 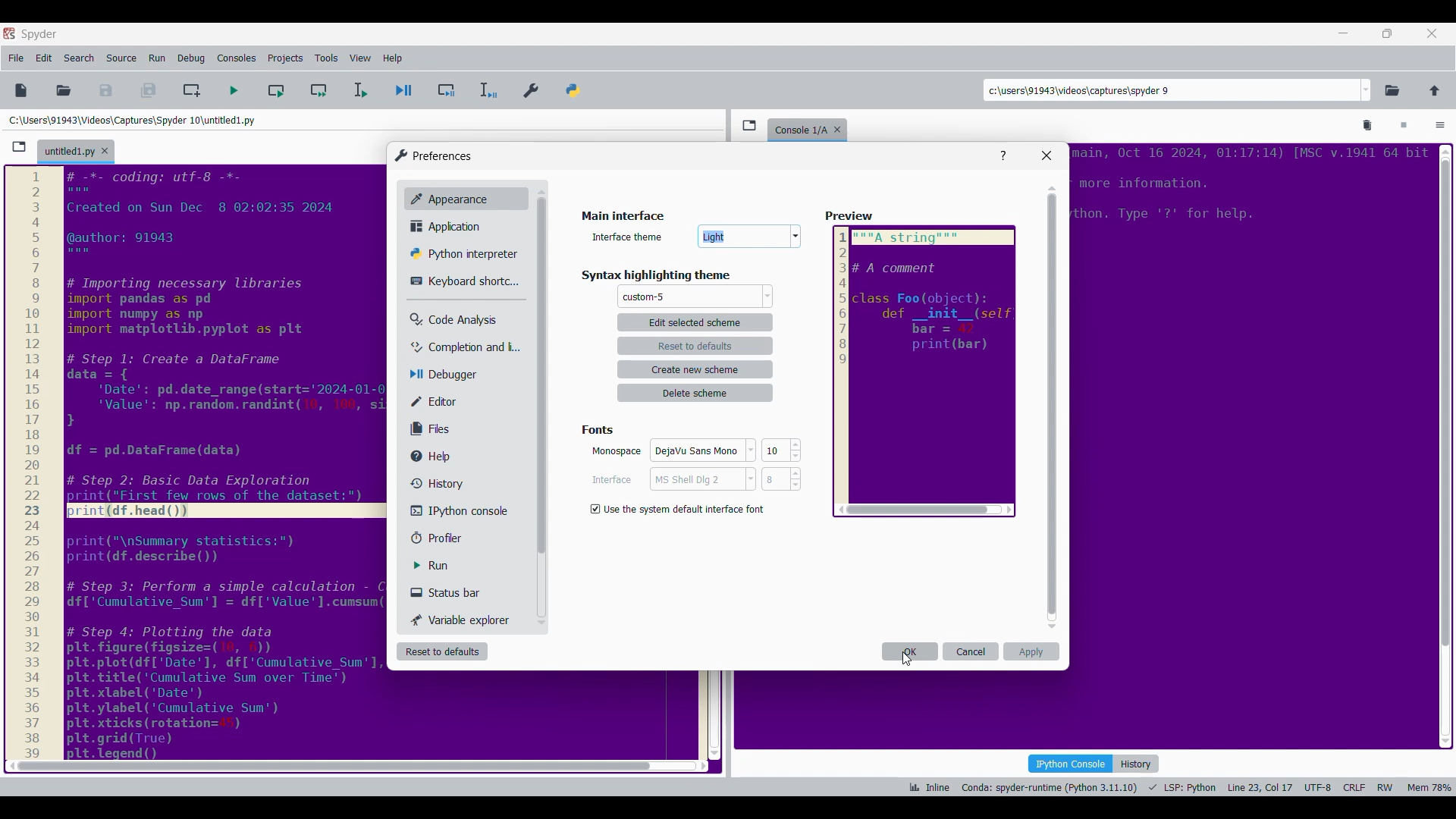 I want to click on Enter locations, so click(x=1171, y=90).